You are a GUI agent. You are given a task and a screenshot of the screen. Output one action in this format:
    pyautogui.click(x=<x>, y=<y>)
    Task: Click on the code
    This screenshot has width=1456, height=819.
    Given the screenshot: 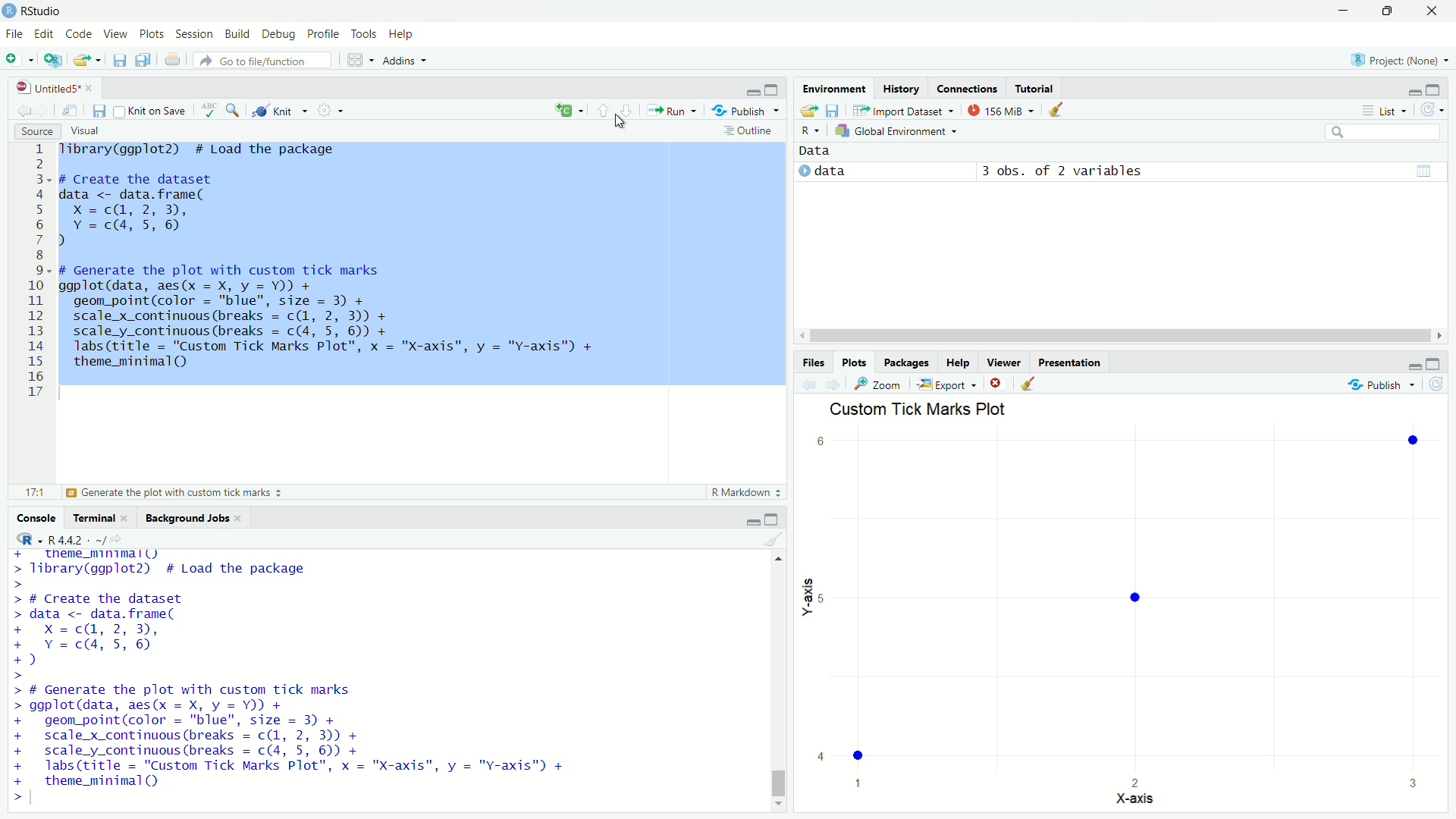 What is the action you would take?
    pyautogui.click(x=80, y=35)
    